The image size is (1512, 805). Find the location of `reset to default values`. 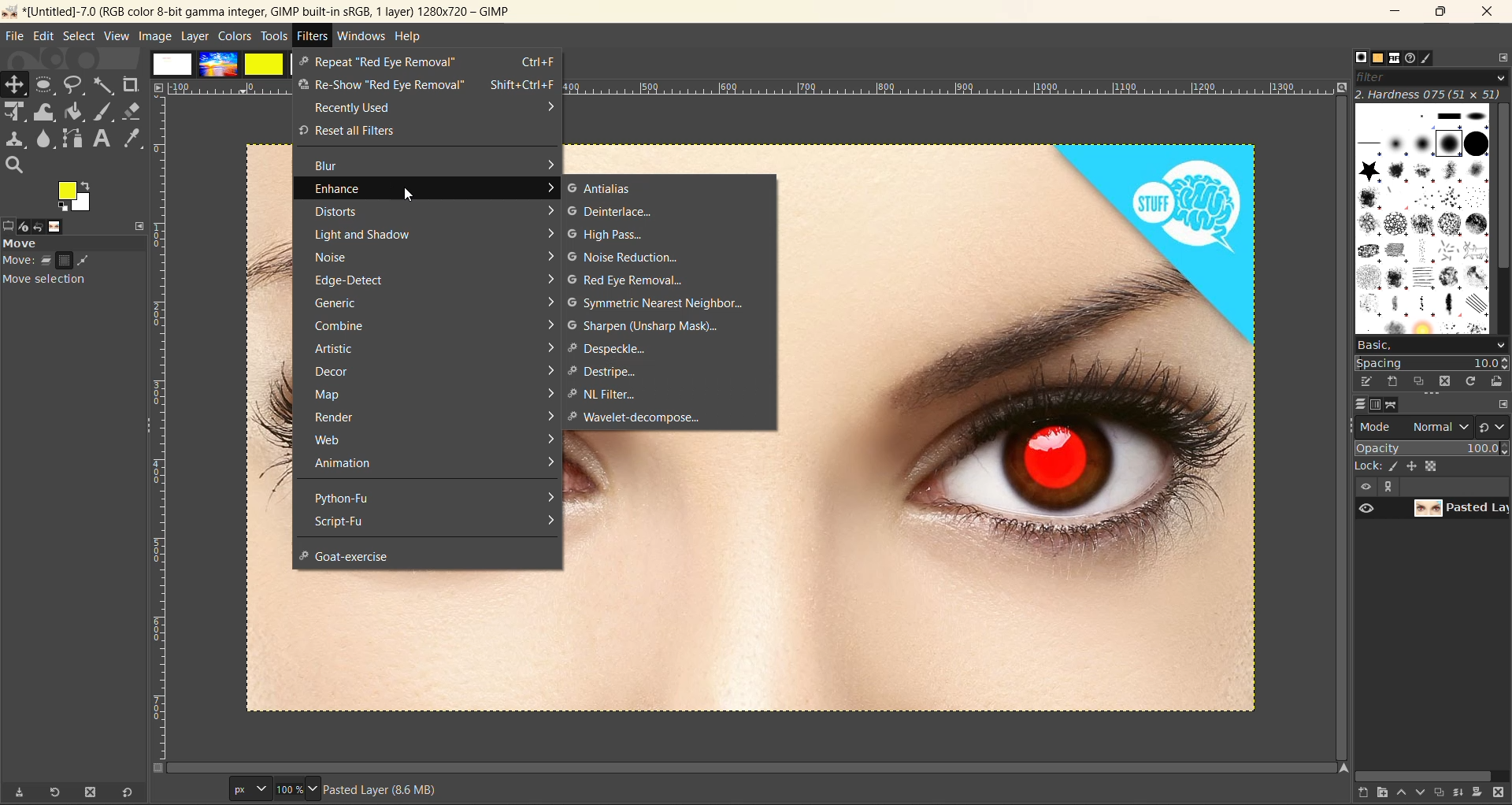

reset to default values is located at coordinates (131, 793).